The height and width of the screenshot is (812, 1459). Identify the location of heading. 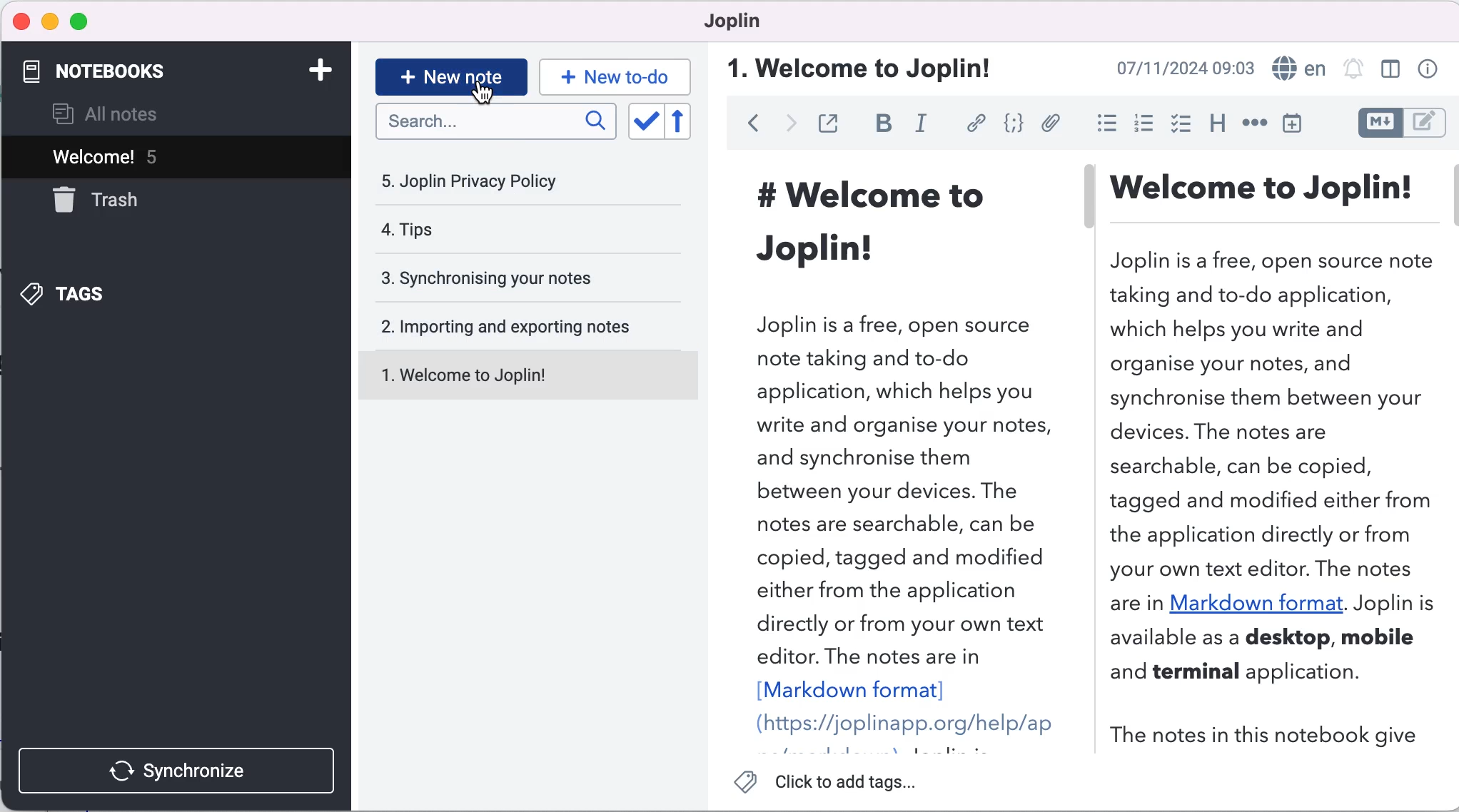
(1213, 125).